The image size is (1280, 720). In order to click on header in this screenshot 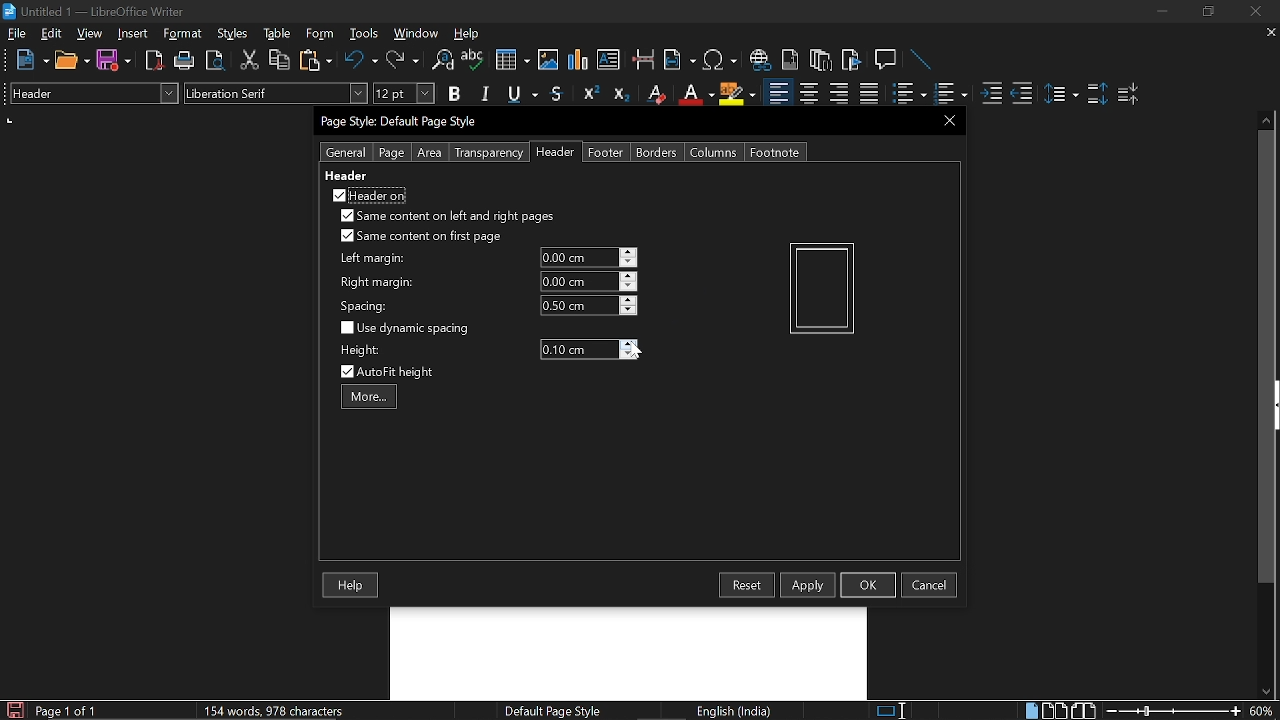, I will do `click(348, 175)`.